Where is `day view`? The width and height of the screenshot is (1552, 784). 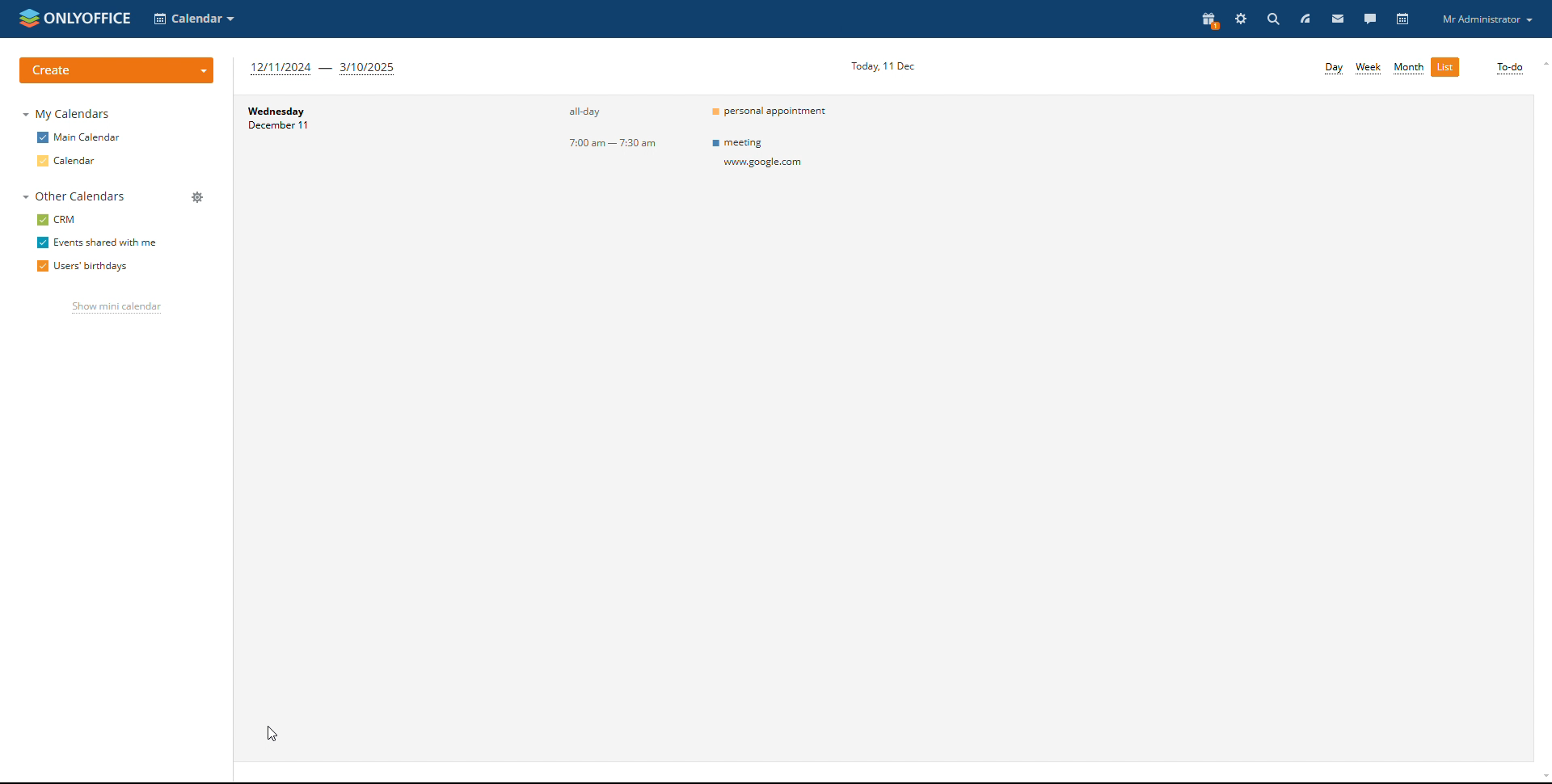 day view is located at coordinates (1335, 69).